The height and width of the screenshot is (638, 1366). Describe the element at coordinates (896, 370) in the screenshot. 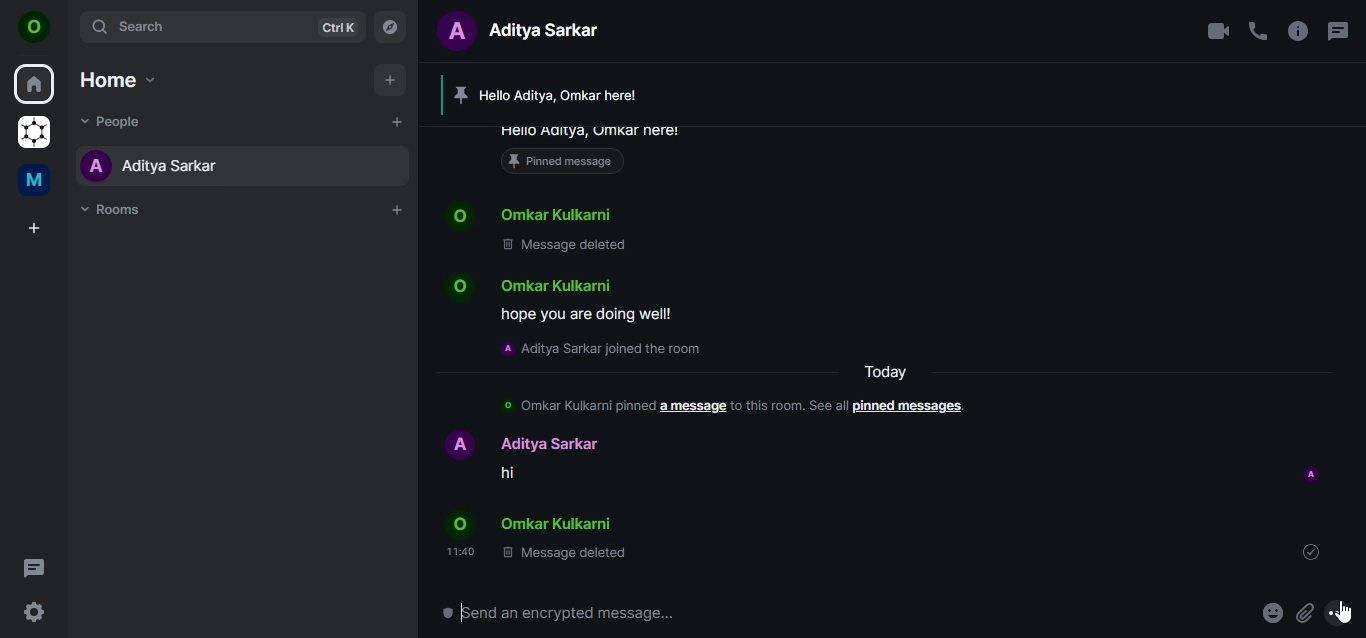

I see `text` at that location.